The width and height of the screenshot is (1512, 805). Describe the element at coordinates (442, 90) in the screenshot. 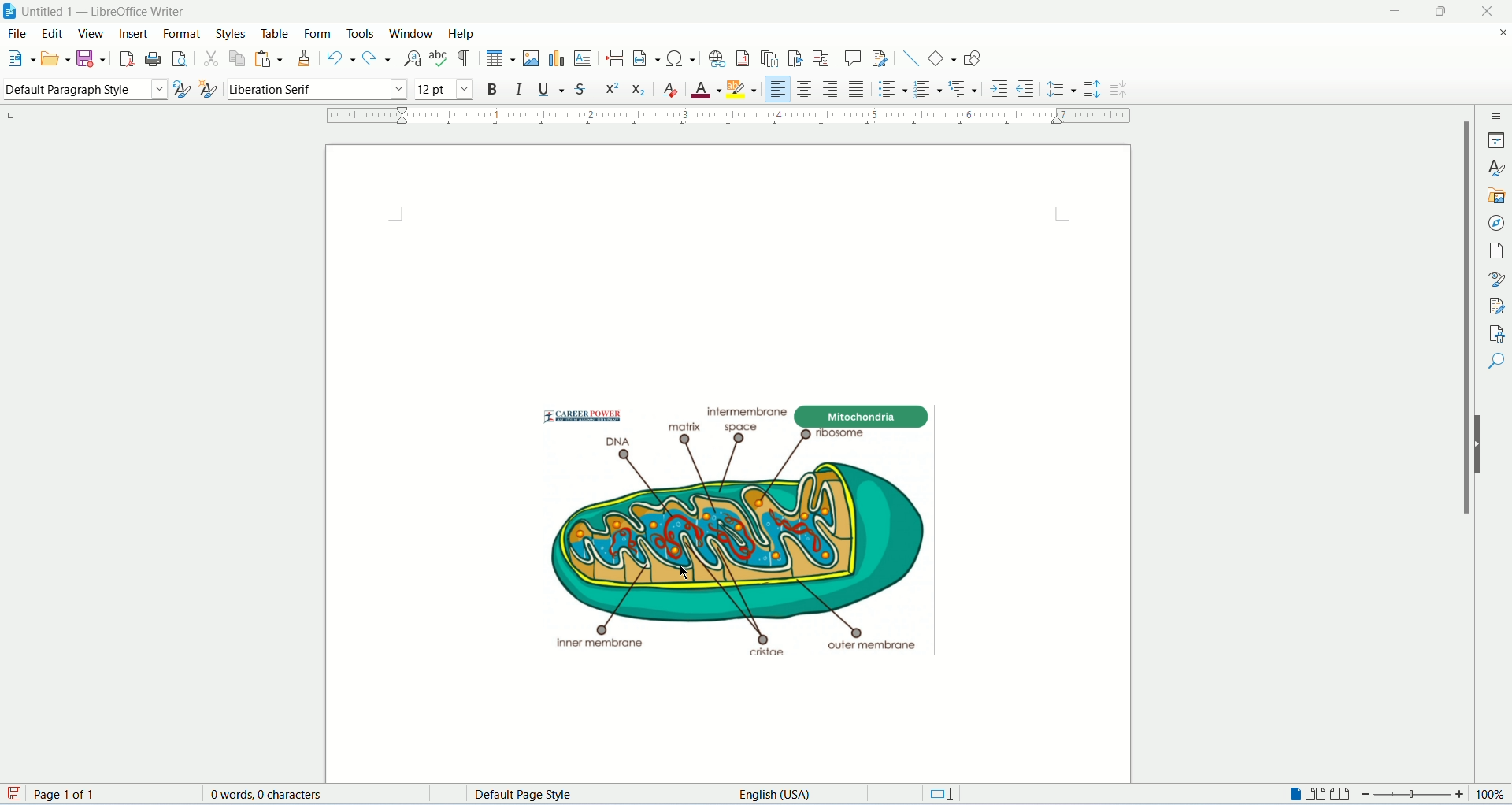

I see `font color` at that location.